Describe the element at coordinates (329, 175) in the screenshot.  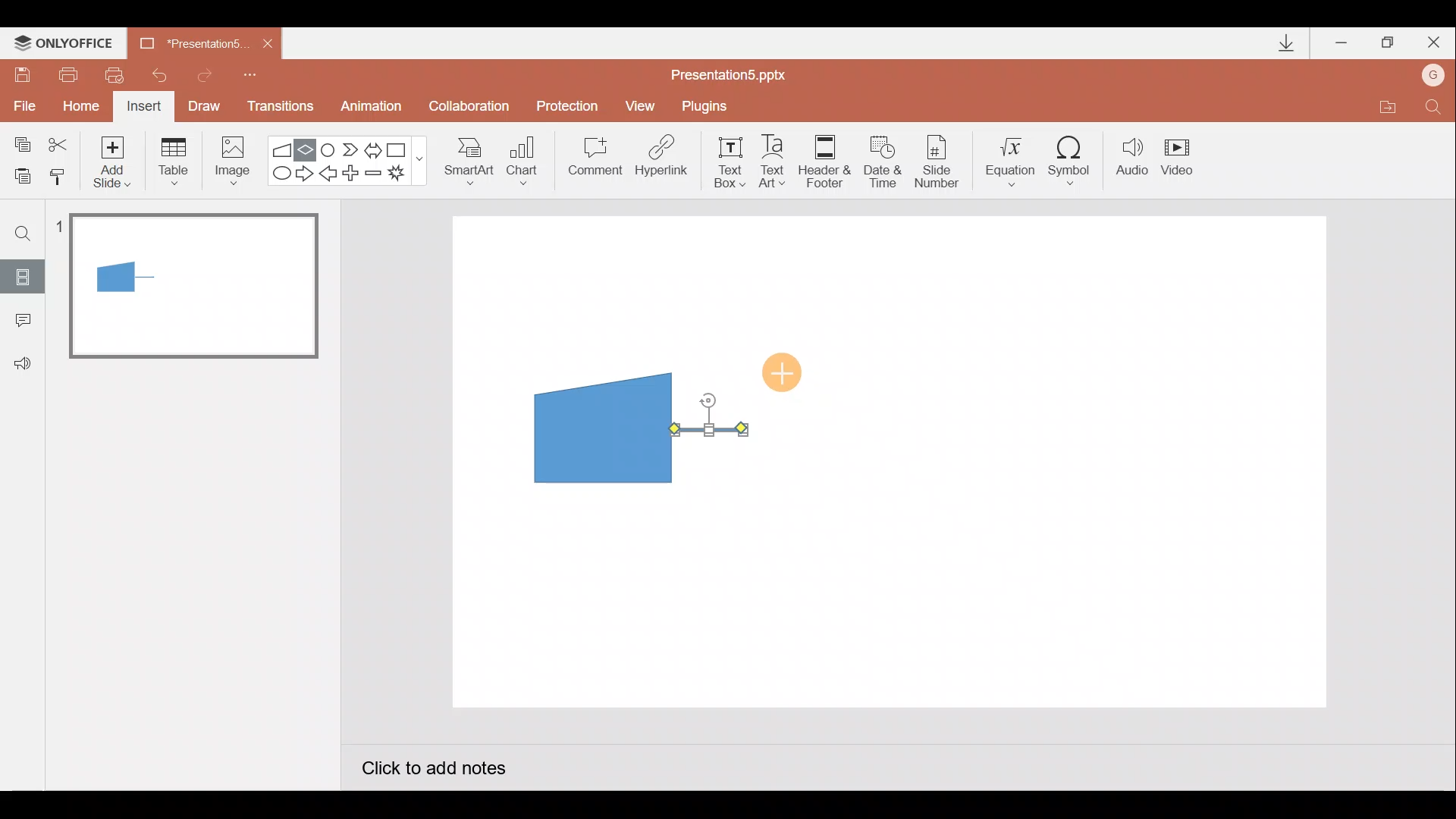
I see `Left arrow` at that location.